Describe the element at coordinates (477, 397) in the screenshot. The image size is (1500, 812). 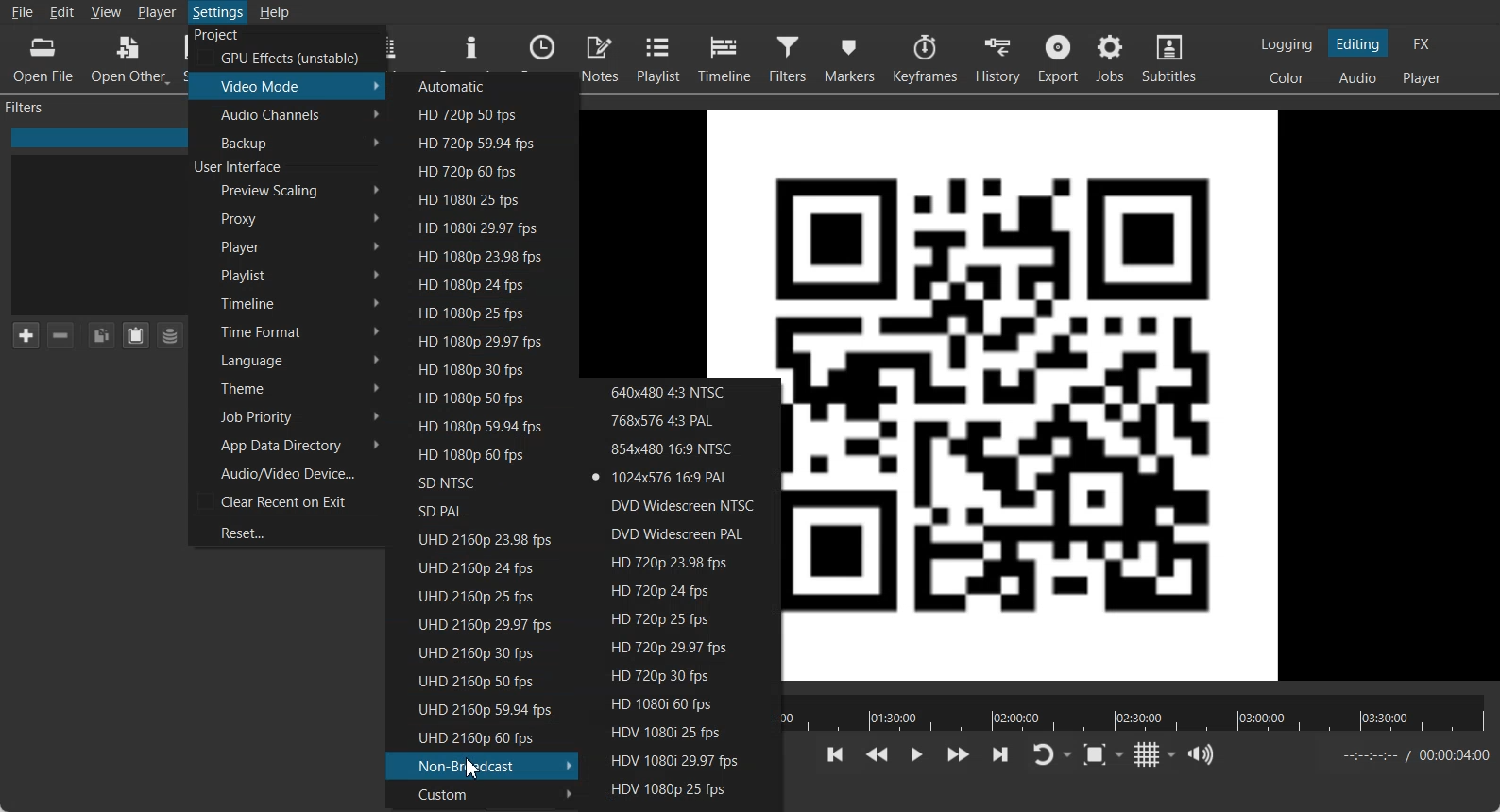
I see `HD 1080p 50 fps` at that location.